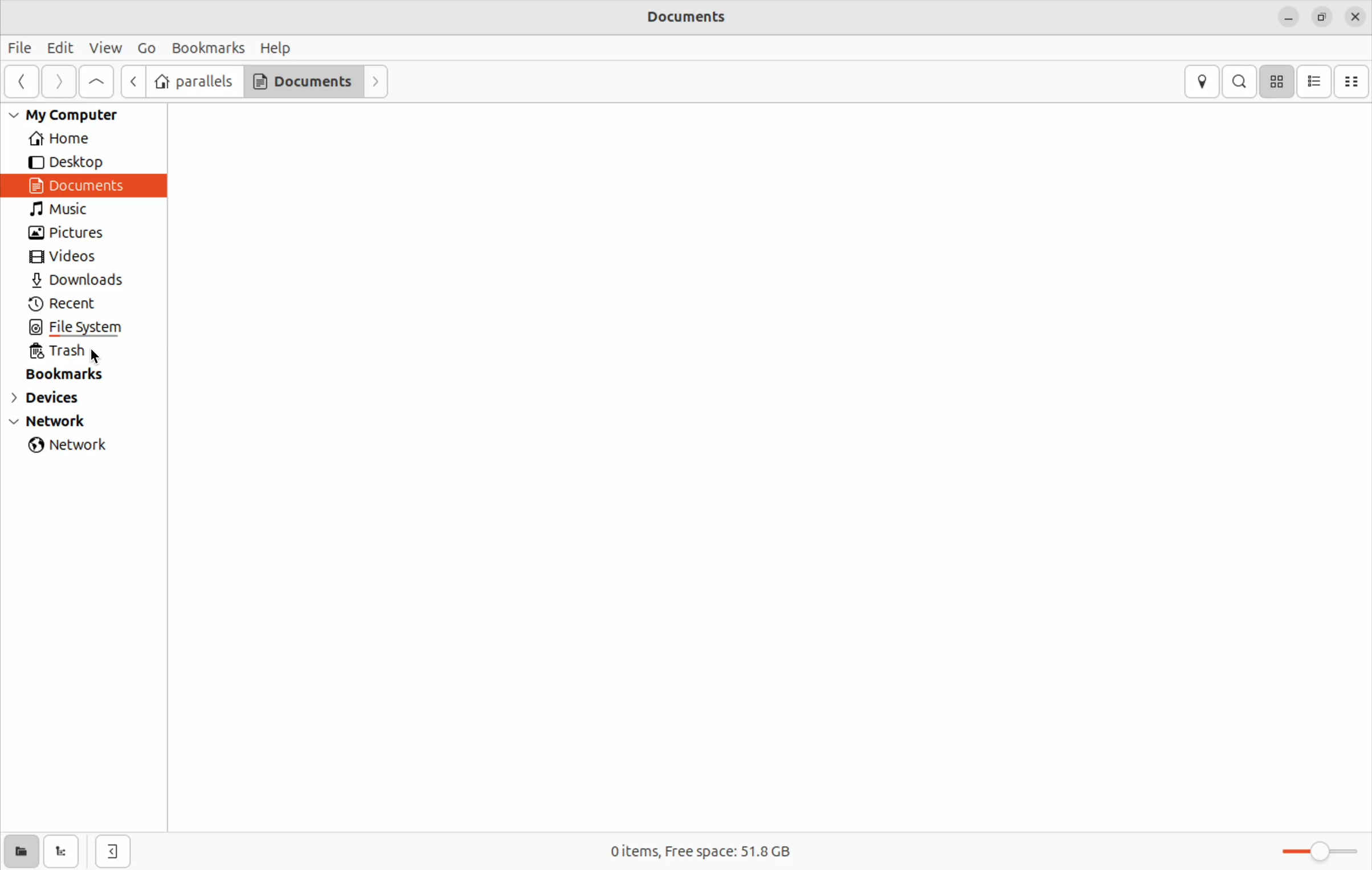 The image size is (1372, 870). Describe the element at coordinates (709, 18) in the screenshot. I see `documents` at that location.